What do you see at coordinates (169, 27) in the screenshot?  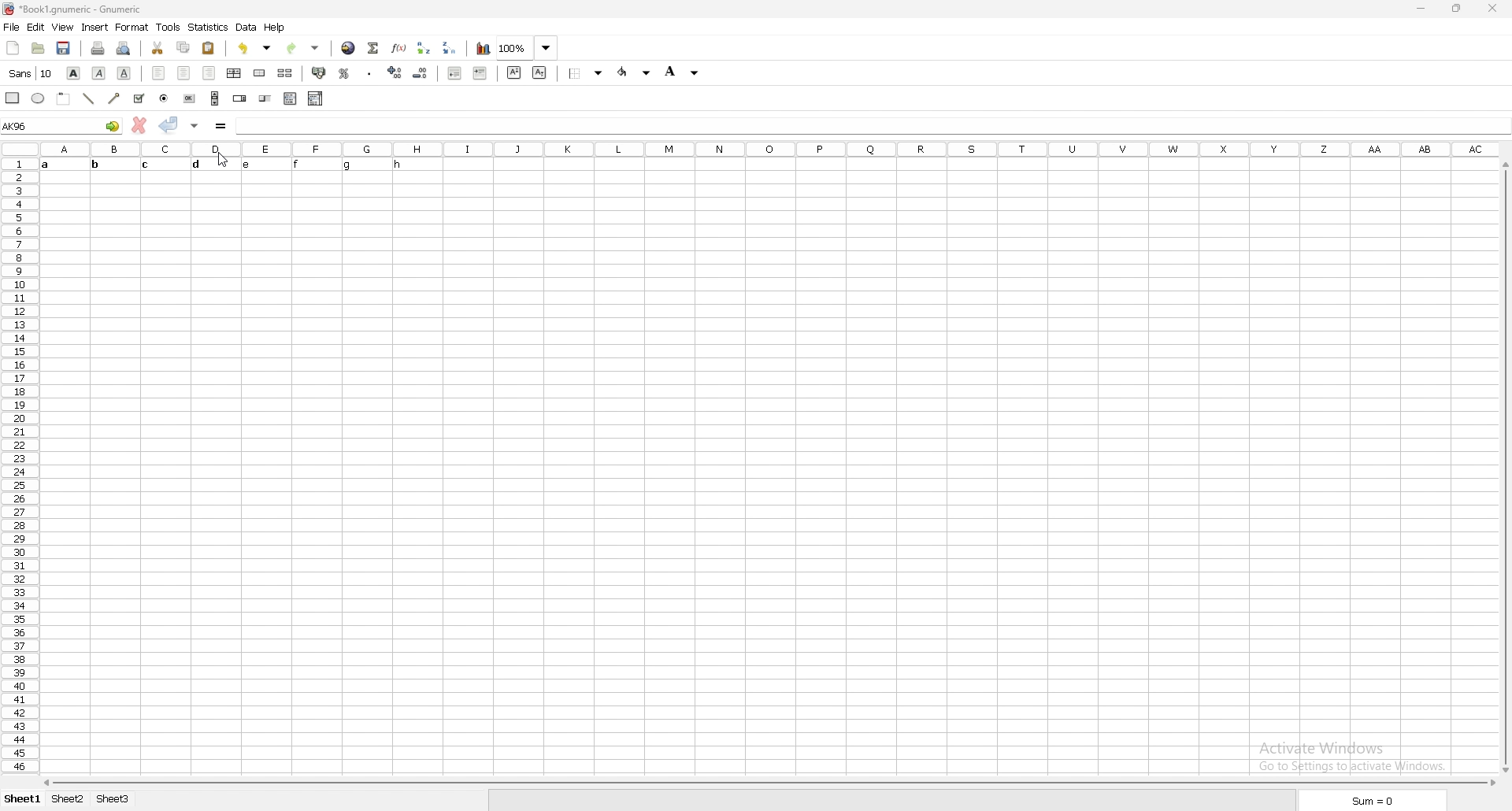 I see `tools` at bounding box center [169, 27].